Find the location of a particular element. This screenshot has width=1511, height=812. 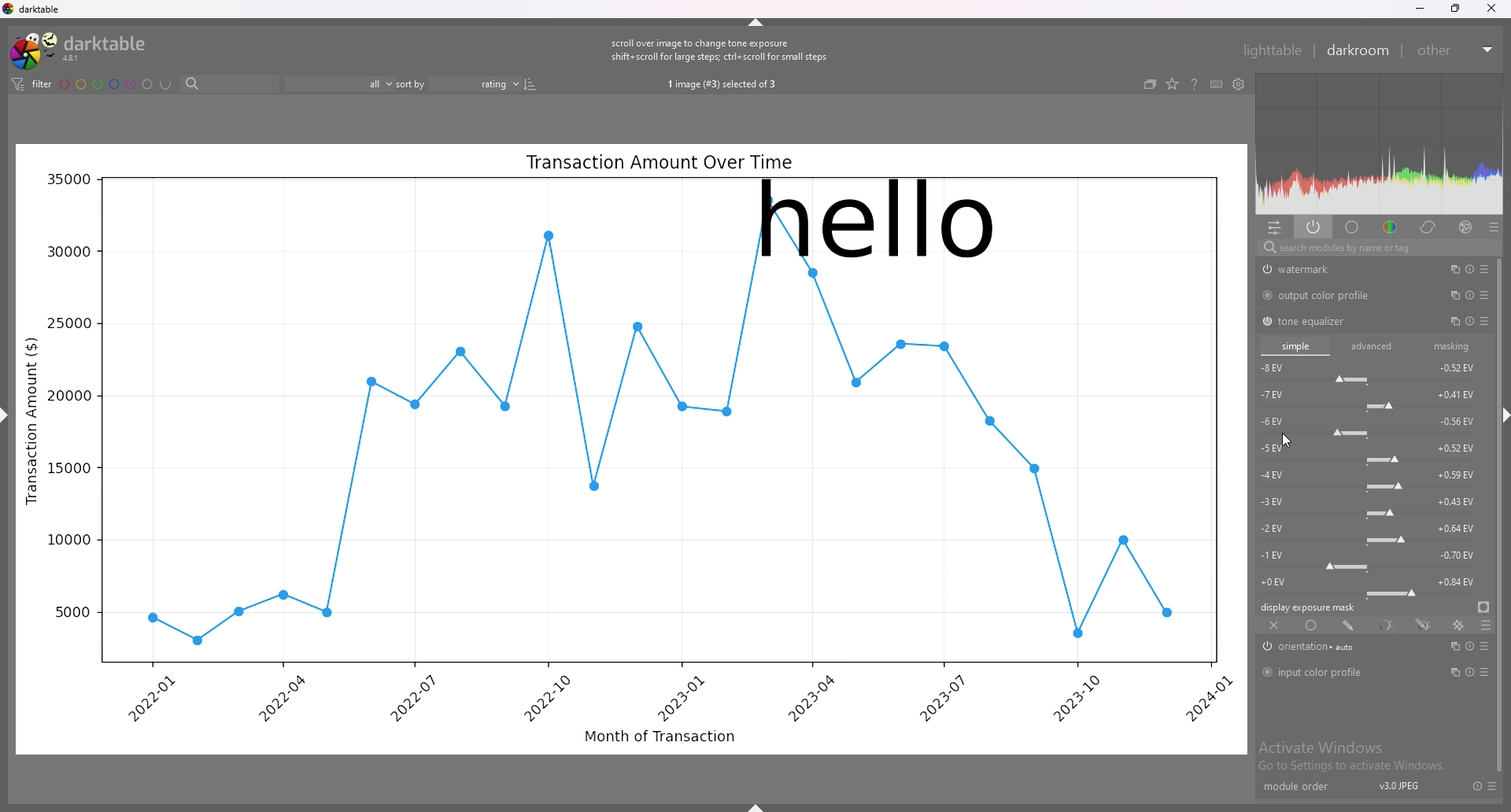

help is located at coordinates (1193, 85).